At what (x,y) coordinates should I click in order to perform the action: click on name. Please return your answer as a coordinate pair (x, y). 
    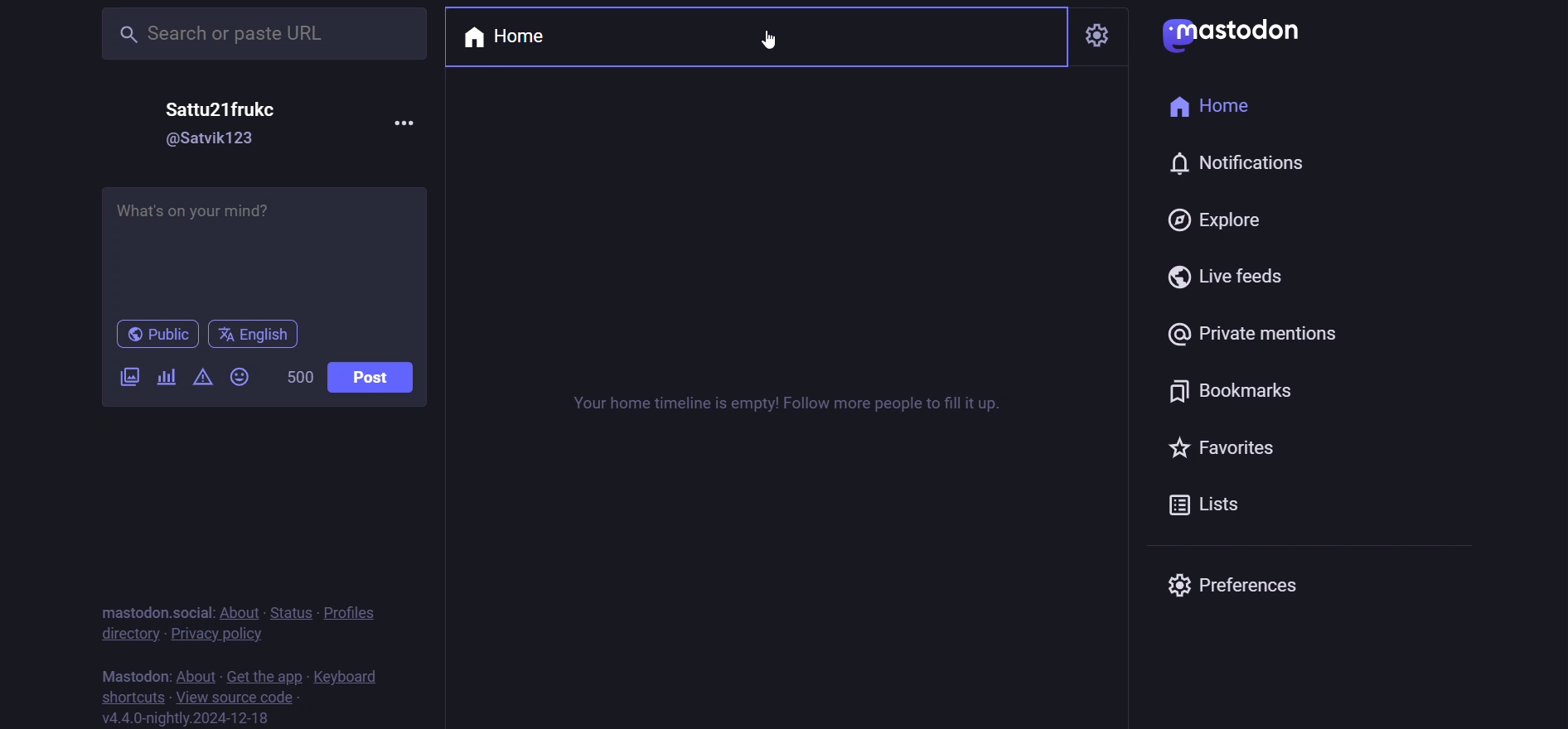
    Looking at the image, I should click on (226, 110).